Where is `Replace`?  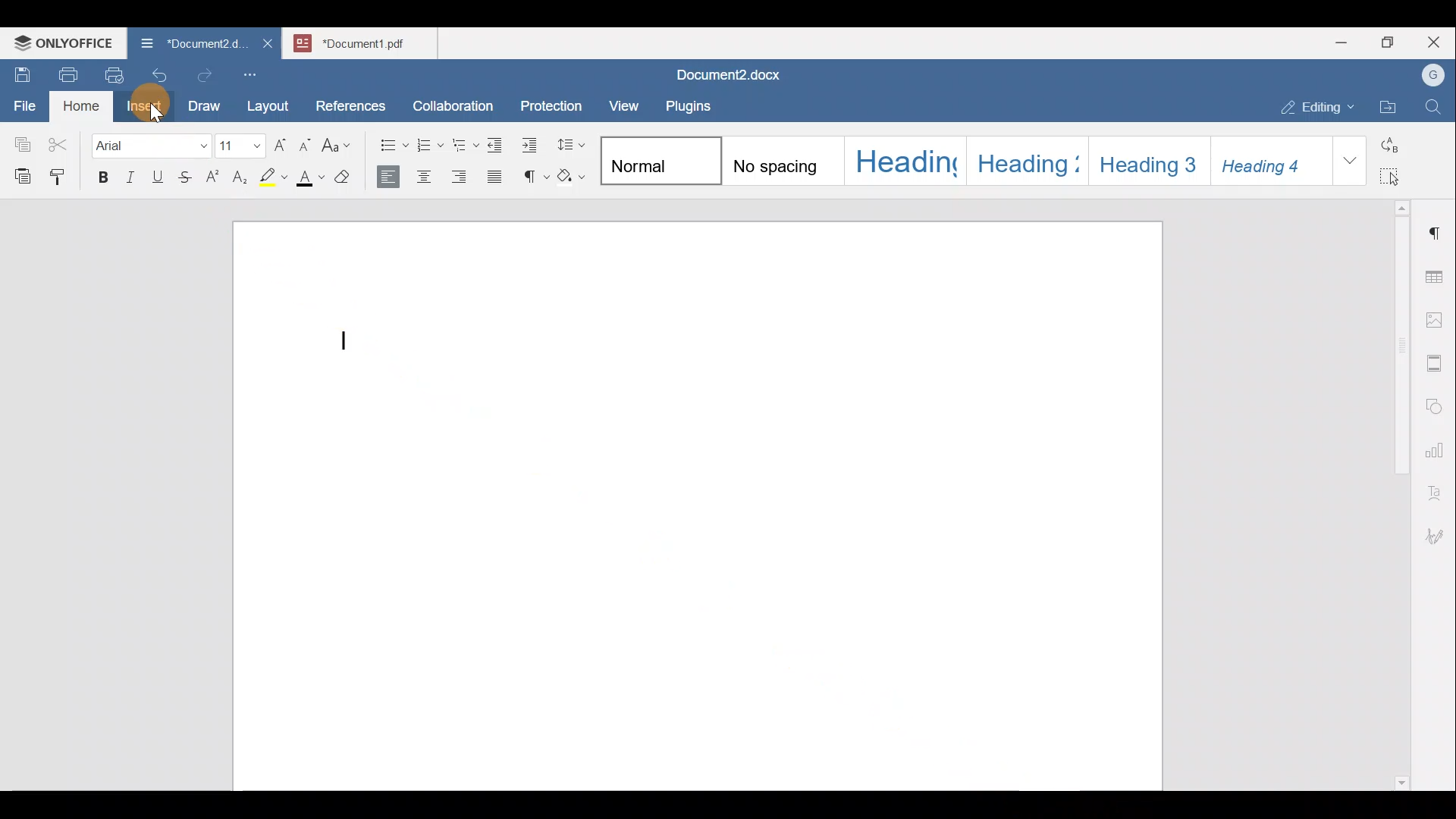 Replace is located at coordinates (1396, 143).